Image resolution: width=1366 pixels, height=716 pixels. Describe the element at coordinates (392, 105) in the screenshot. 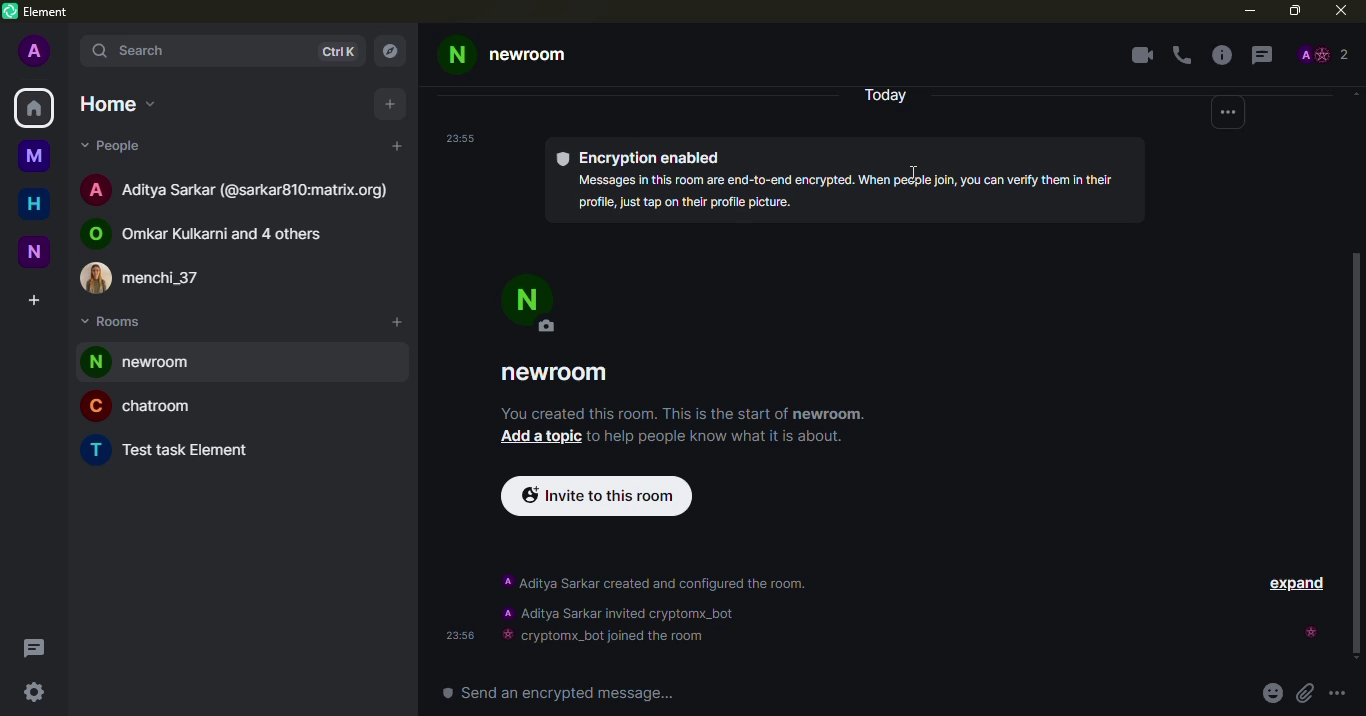

I see `add` at that location.